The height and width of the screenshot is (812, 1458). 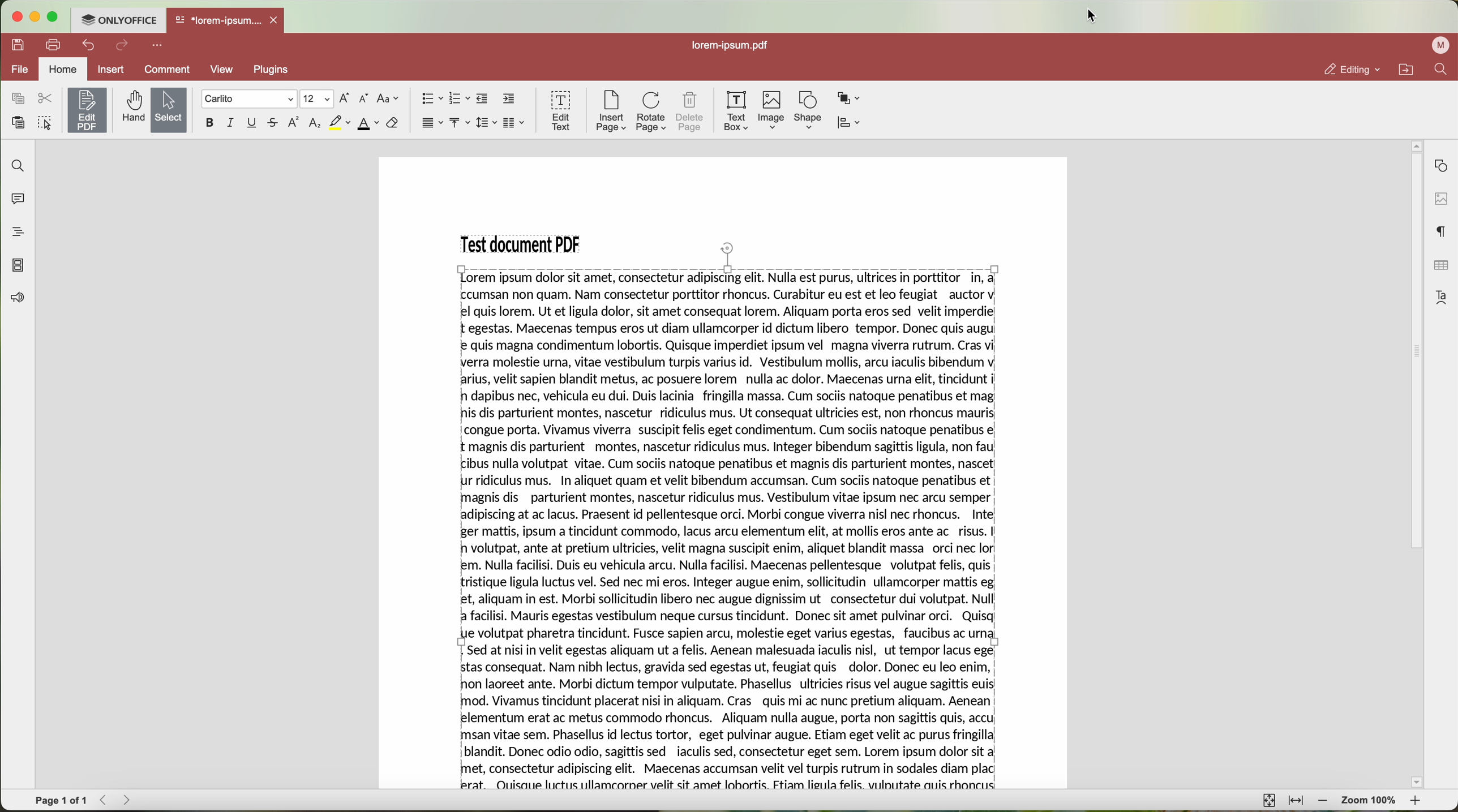 I want to click on decrease indent, so click(x=482, y=98).